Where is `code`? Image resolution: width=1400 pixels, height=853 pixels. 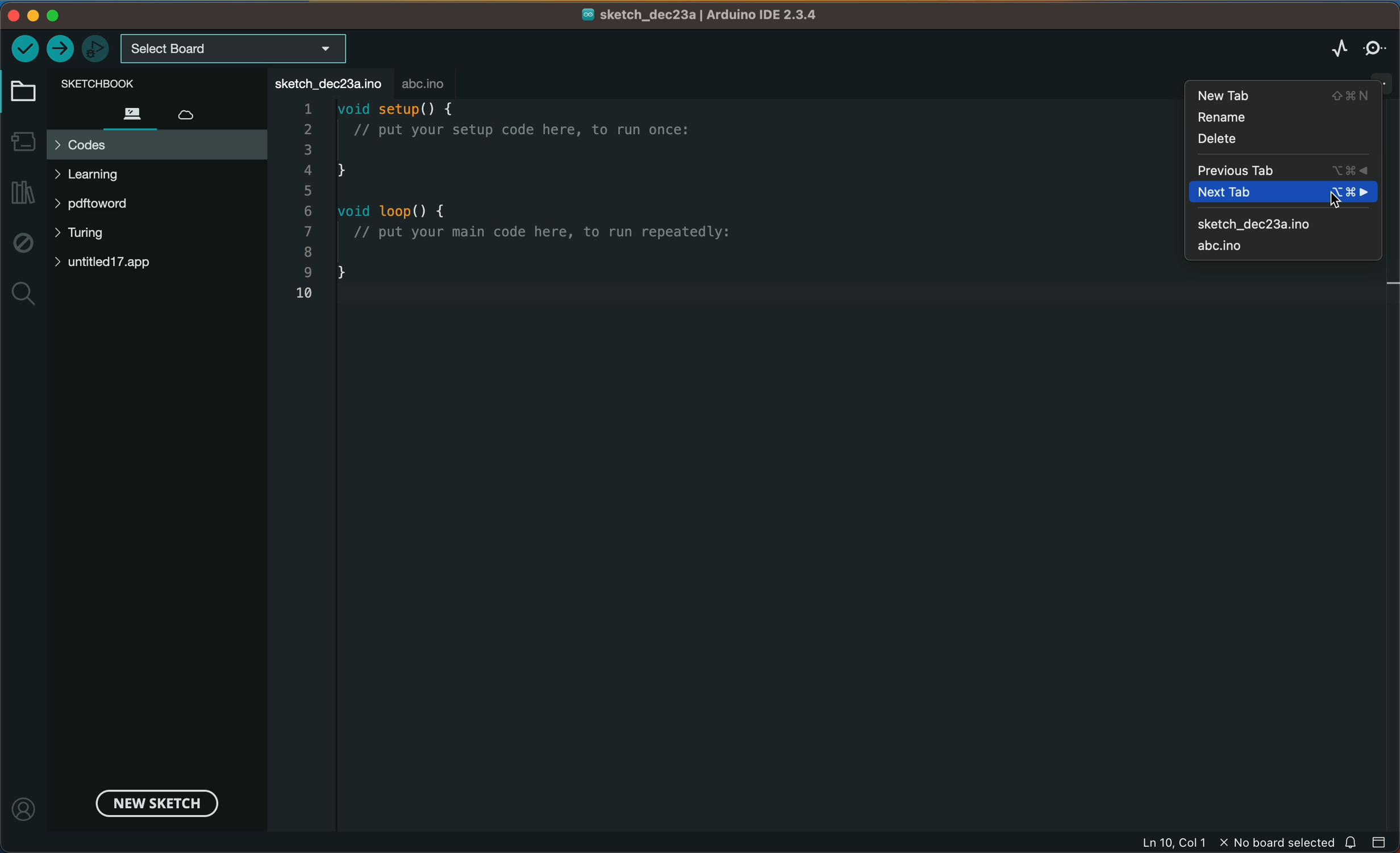 code is located at coordinates (613, 205).